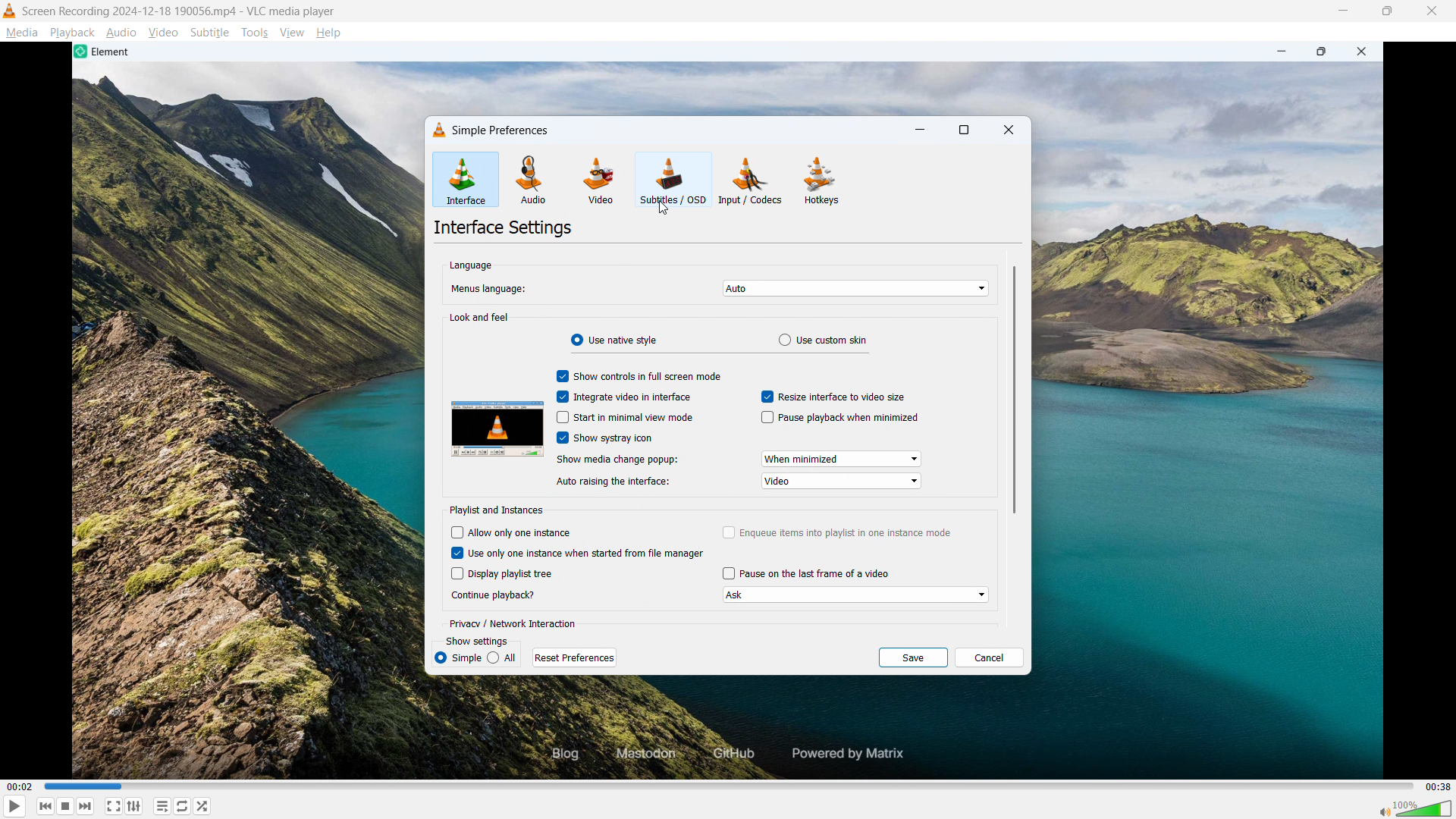 This screenshot has height=819, width=1456. What do you see at coordinates (455, 574) in the screenshot?
I see `checkbox` at bounding box center [455, 574].